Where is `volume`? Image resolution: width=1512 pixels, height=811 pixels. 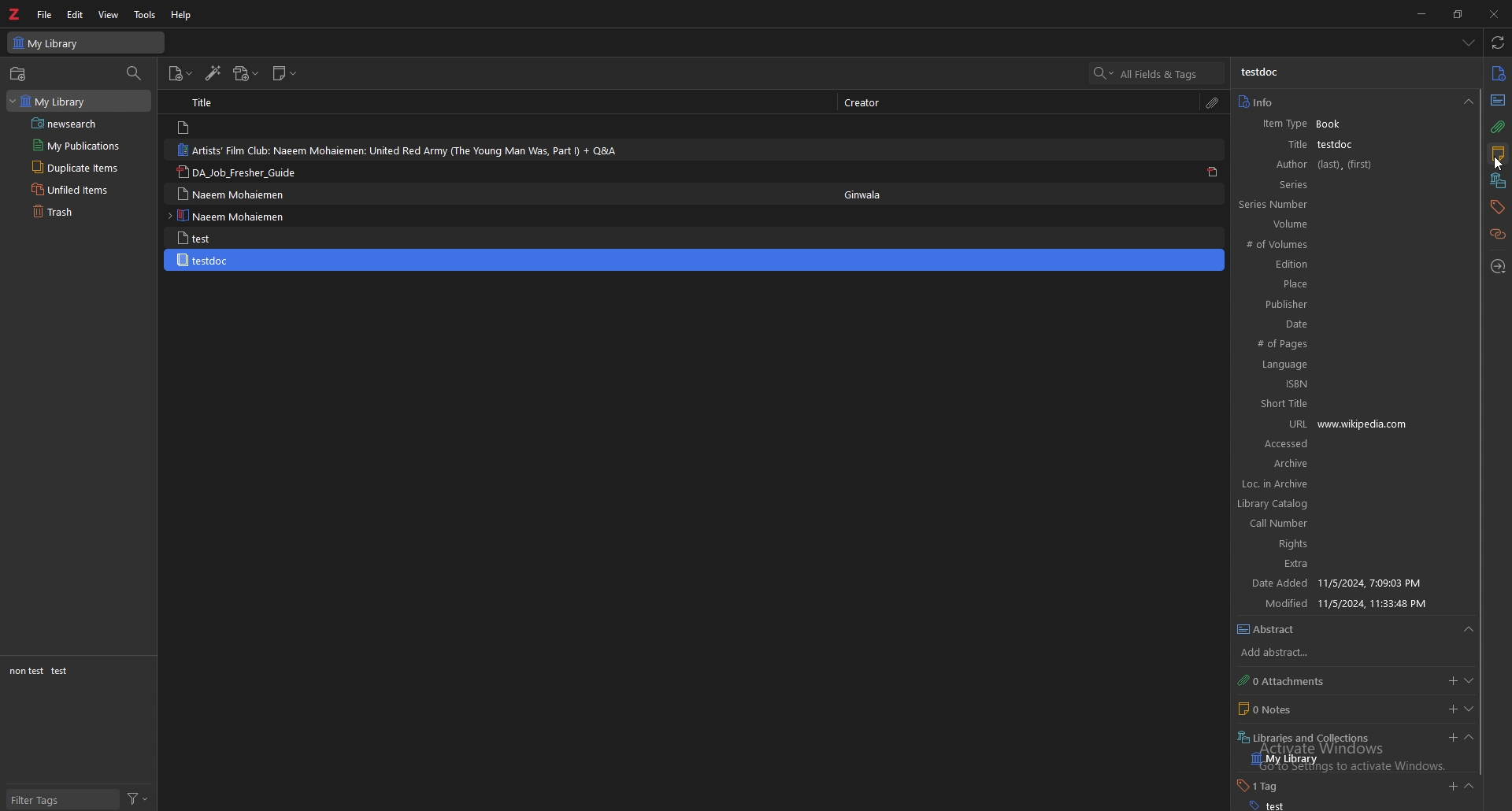
volume is located at coordinates (1330, 226).